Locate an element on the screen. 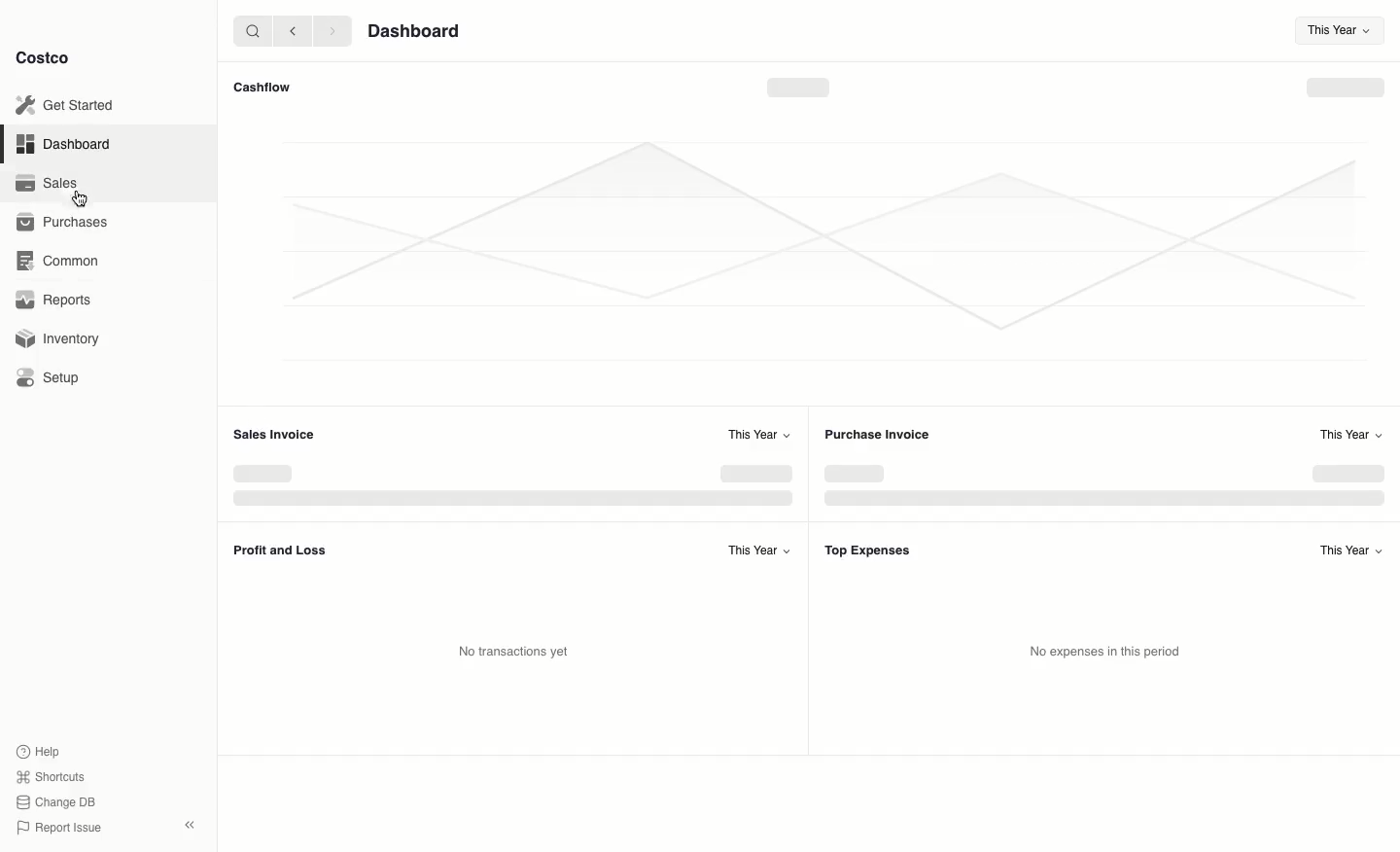 The image size is (1400, 852). Change DB is located at coordinates (52, 800).